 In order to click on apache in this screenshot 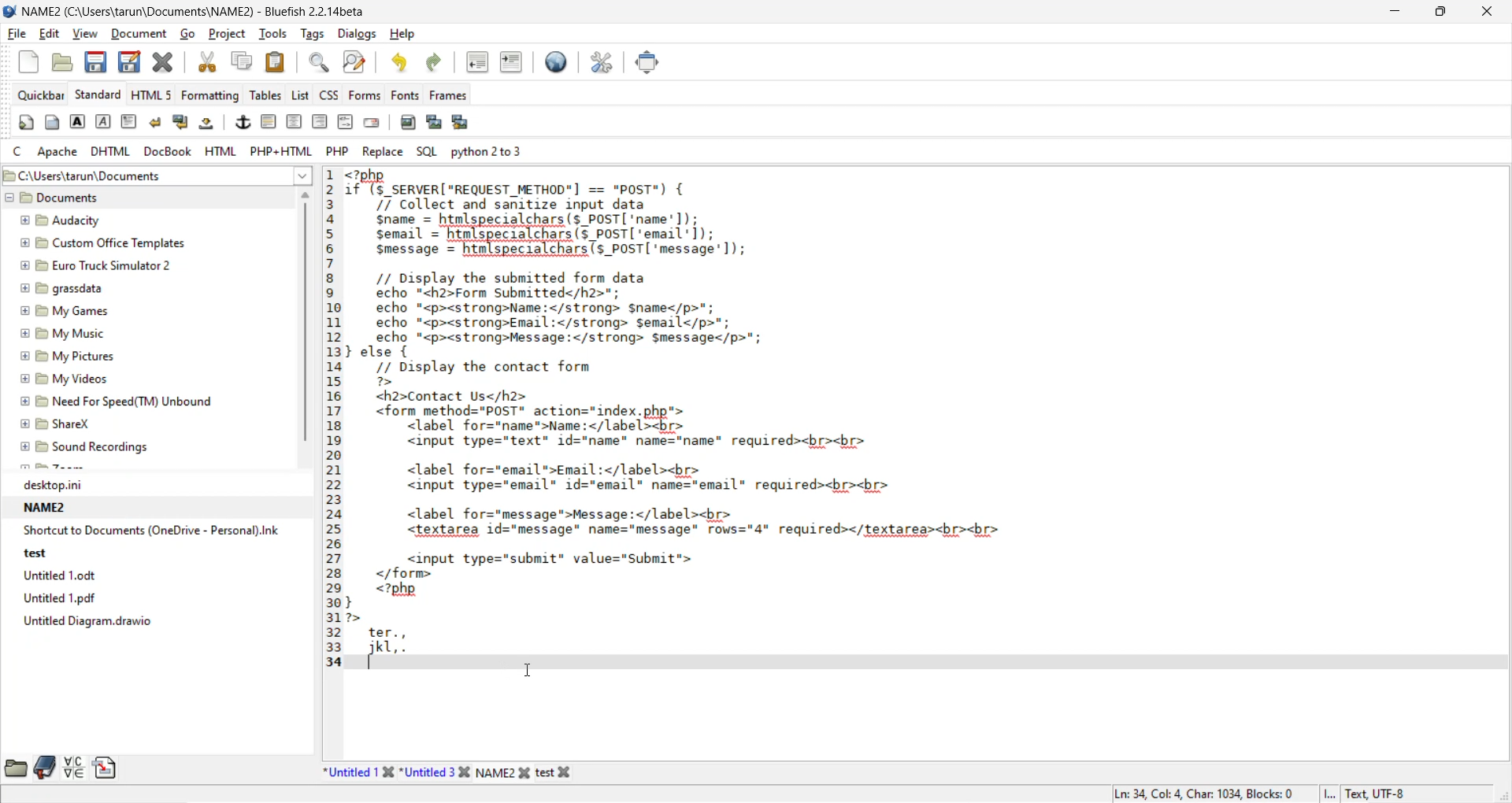, I will do `click(61, 153)`.